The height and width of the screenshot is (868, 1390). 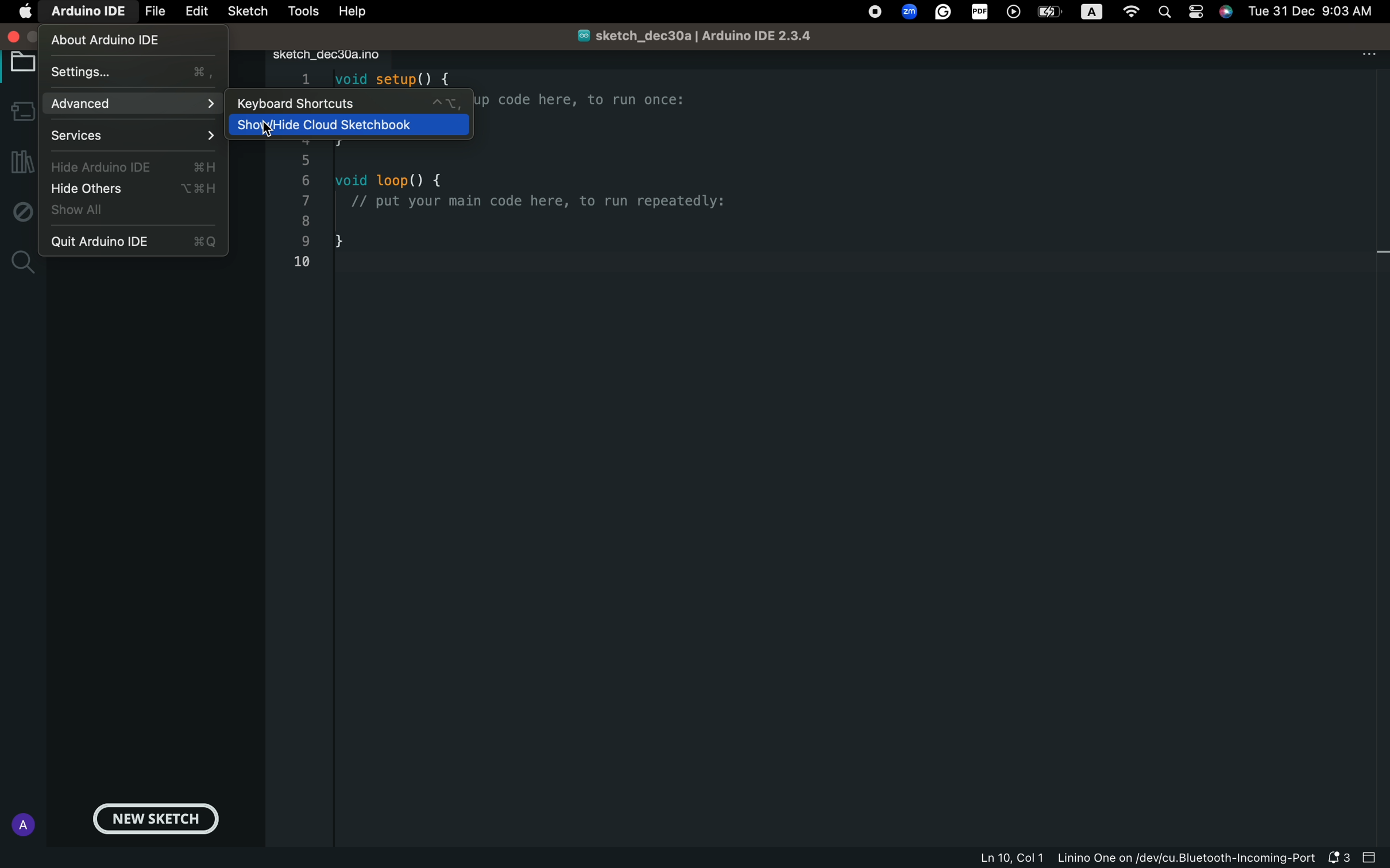 What do you see at coordinates (131, 104) in the screenshot?
I see `advance` at bounding box center [131, 104].